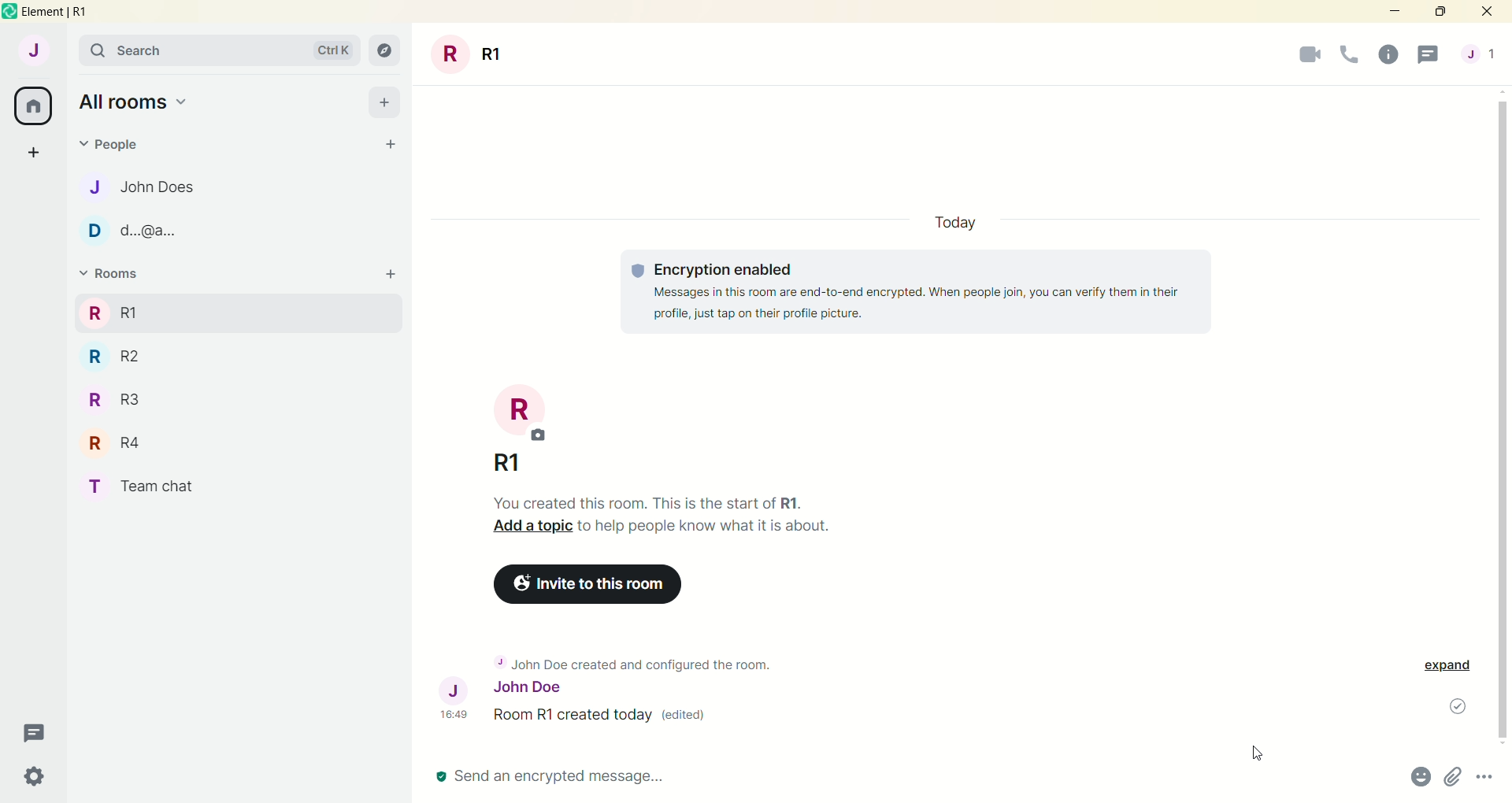 Image resolution: width=1512 pixels, height=803 pixels. Describe the element at coordinates (491, 687) in the screenshot. I see `John Doe` at that location.